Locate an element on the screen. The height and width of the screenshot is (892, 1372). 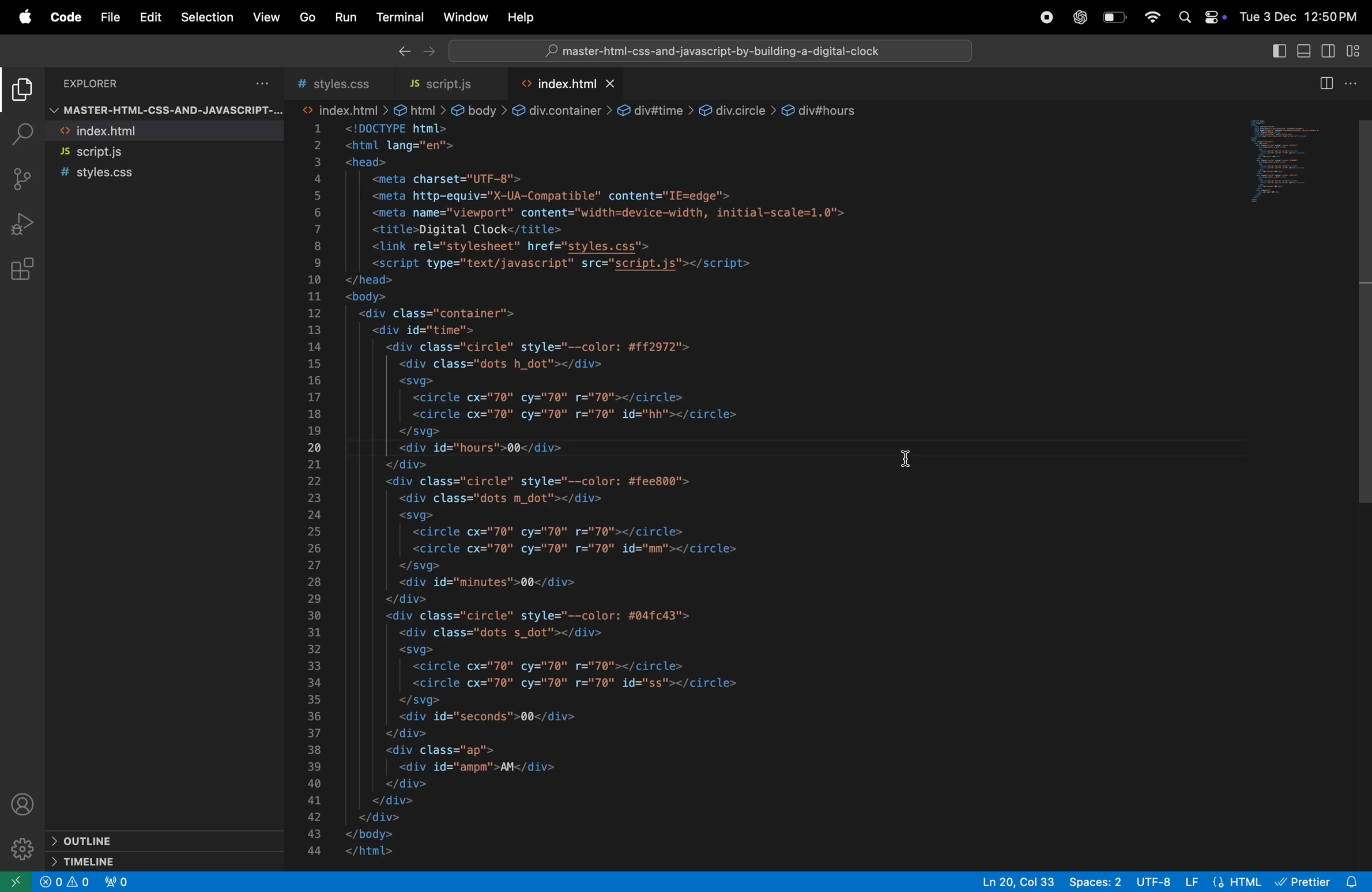
record is located at coordinates (1044, 16).